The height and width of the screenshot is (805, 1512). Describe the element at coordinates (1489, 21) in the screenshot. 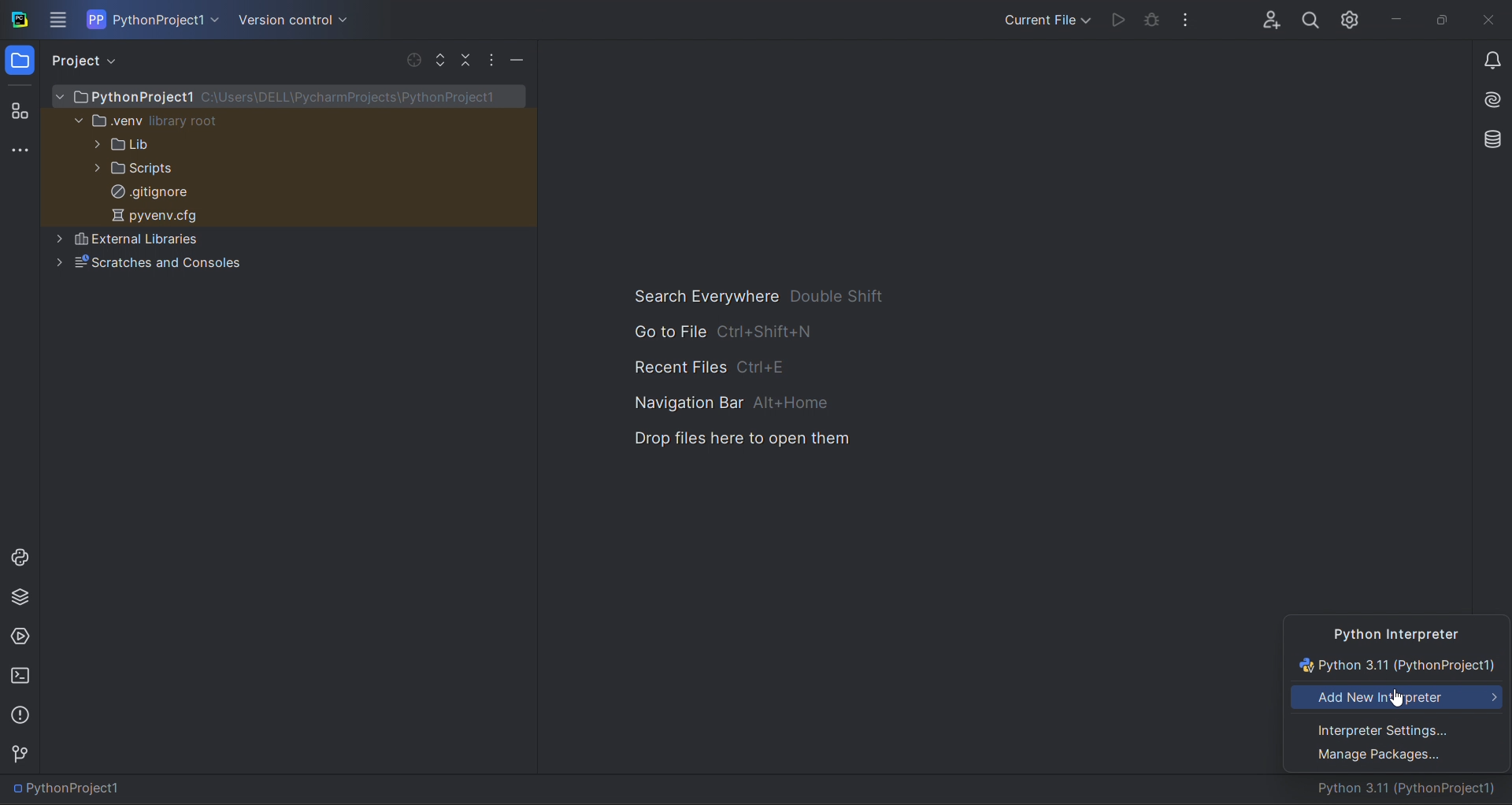

I see `close` at that location.